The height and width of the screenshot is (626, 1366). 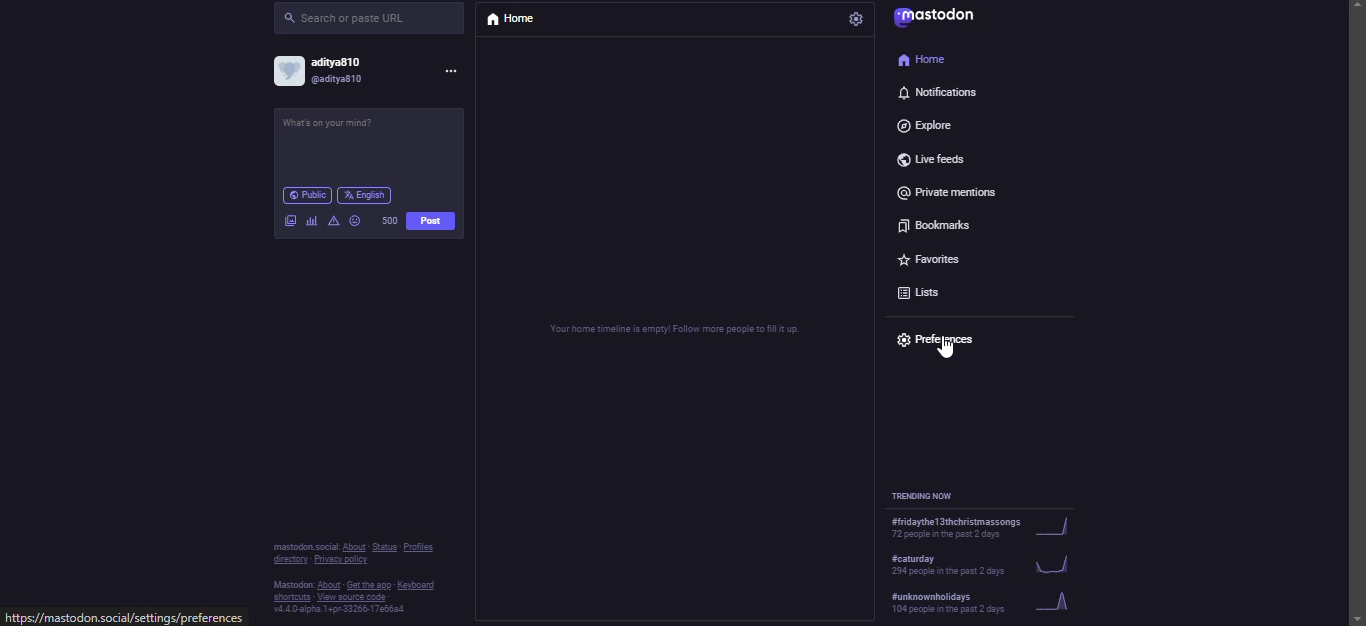 What do you see at coordinates (444, 71) in the screenshot?
I see `more` at bounding box center [444, 71].